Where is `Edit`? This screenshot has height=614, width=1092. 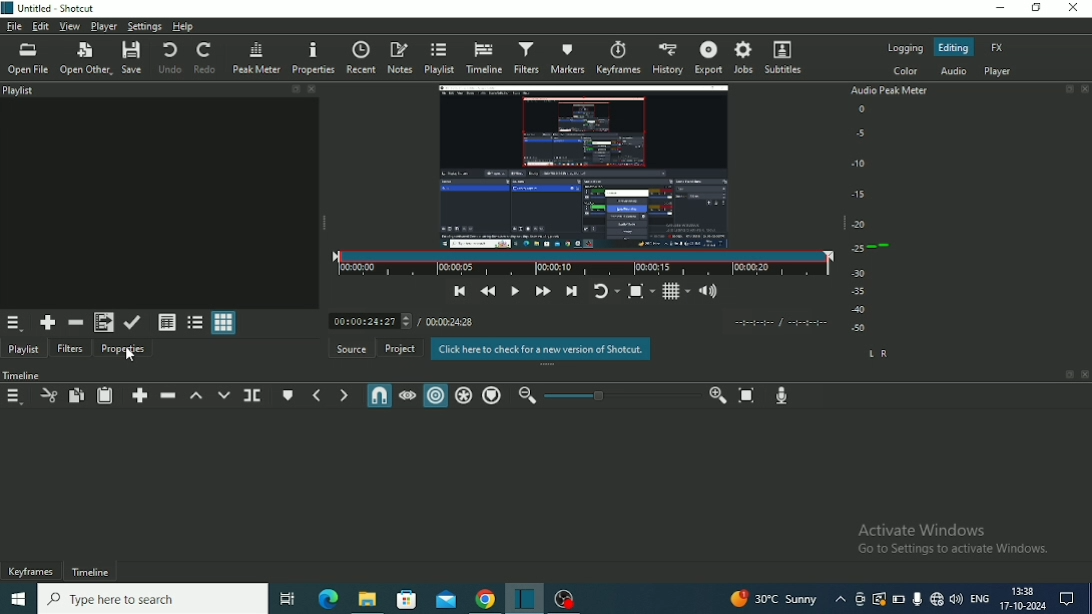
Edit is located at coordinates (40, 27).